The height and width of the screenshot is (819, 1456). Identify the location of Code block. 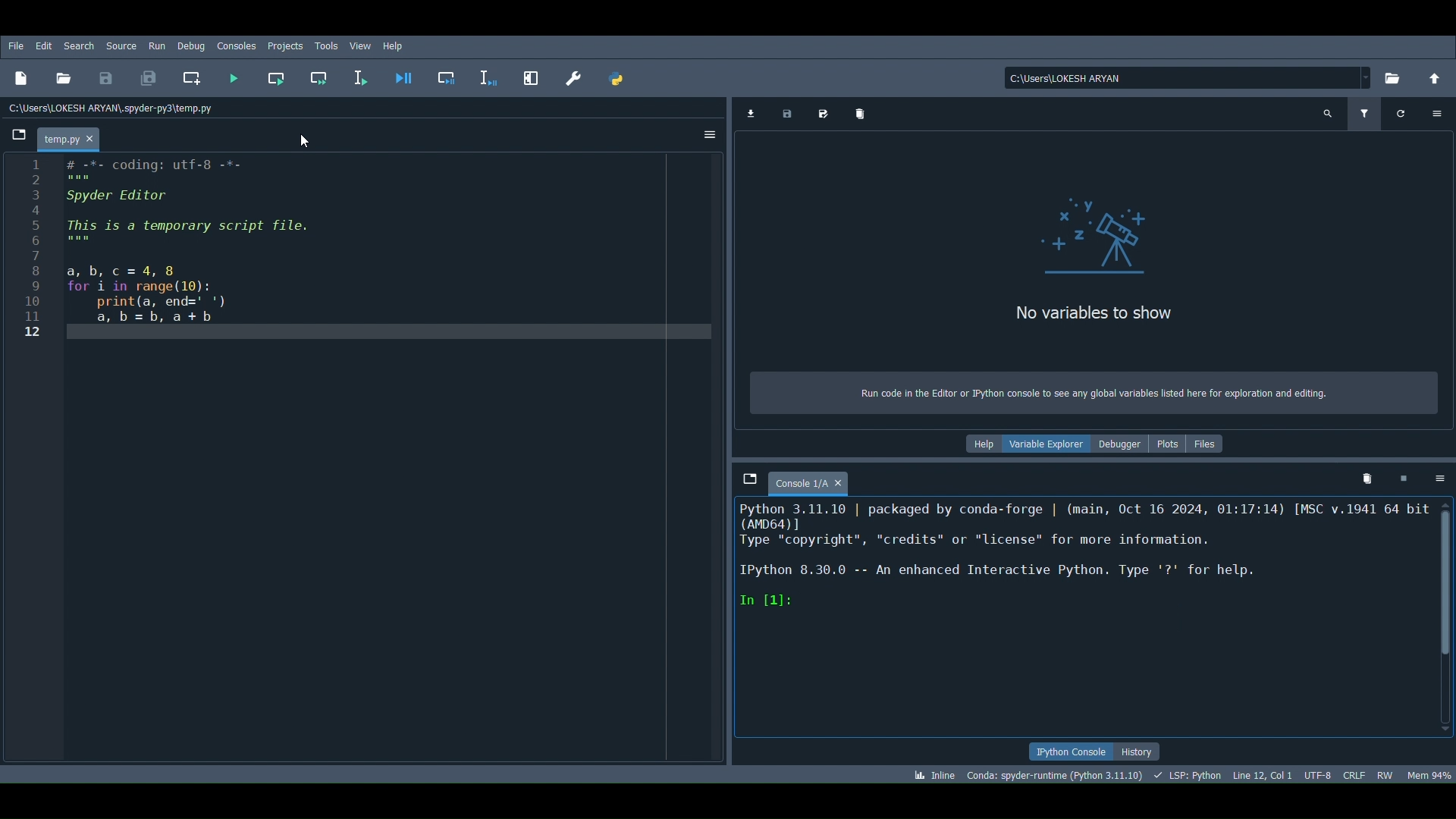
(367, 462).